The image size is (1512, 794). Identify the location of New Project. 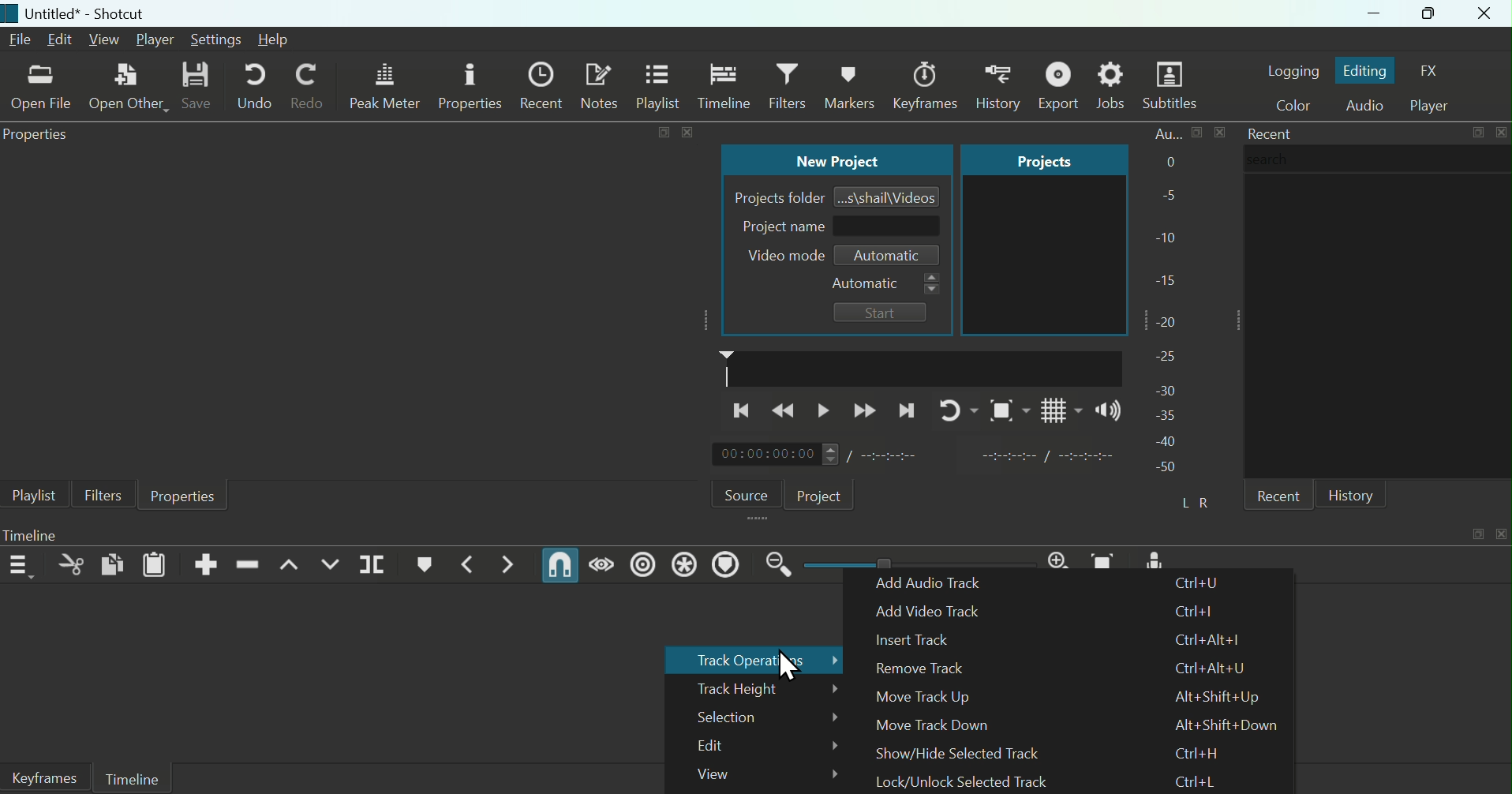
(833, 160).